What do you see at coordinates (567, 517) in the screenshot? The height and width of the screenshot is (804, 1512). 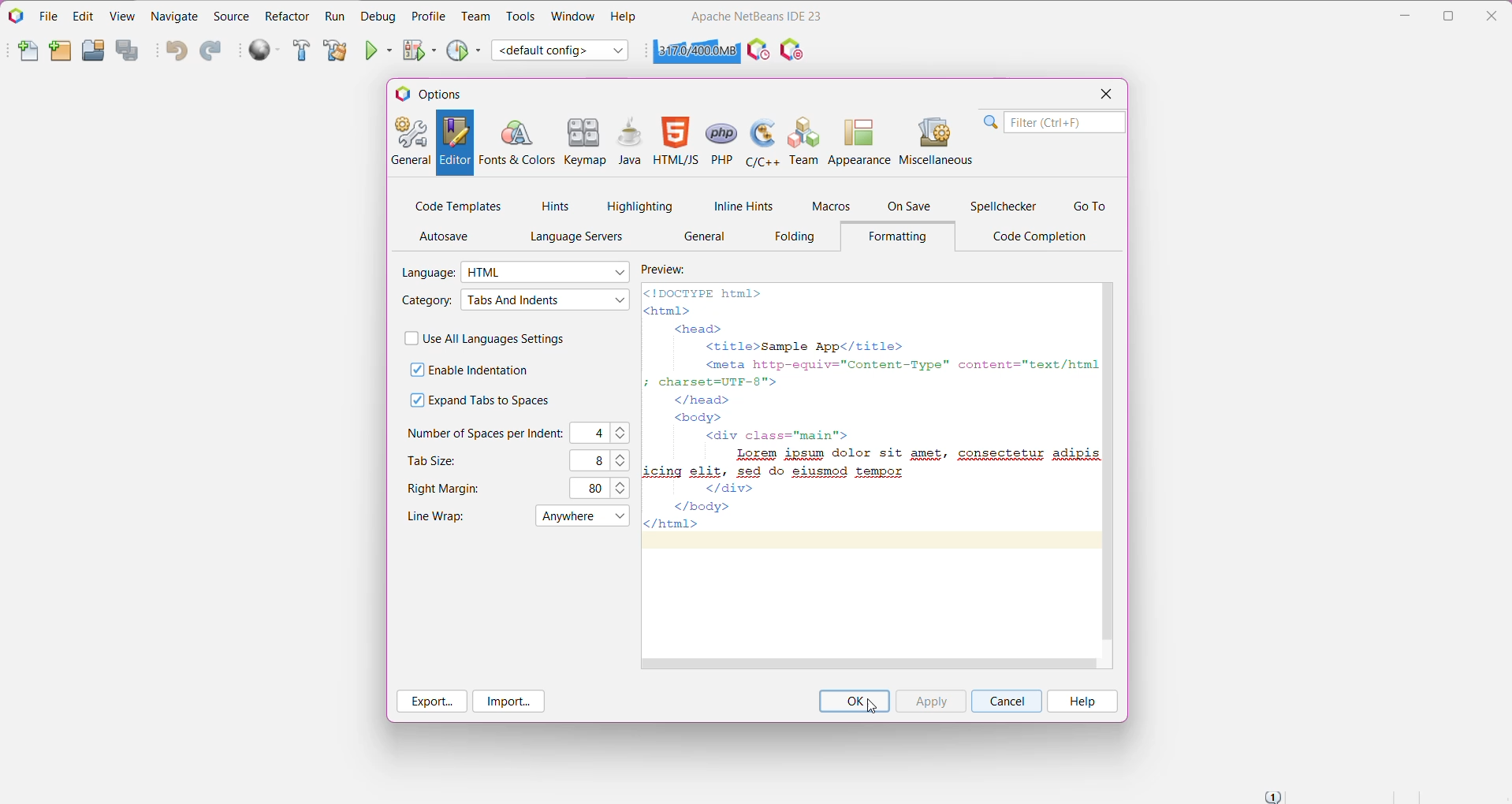 I see `menu` at bounding box center [567, 517].